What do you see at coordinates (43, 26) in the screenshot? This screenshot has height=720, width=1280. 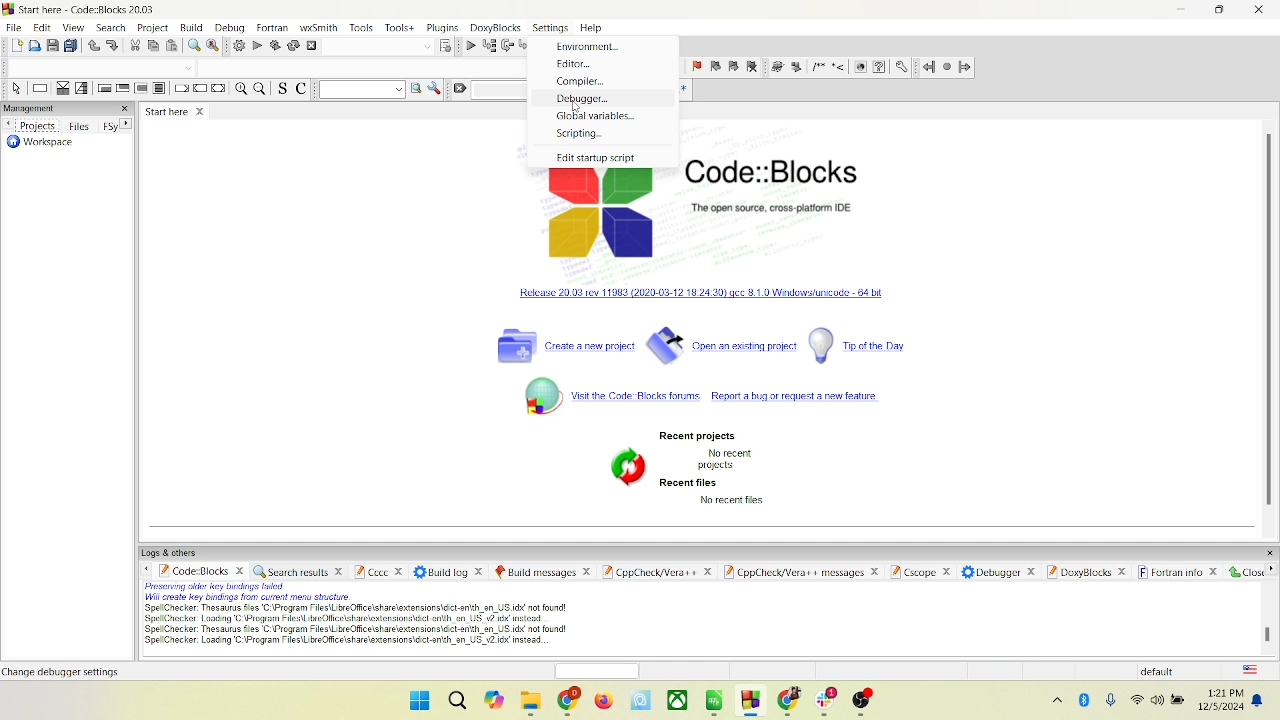 I see `edit` at bounding box center [43, 26].